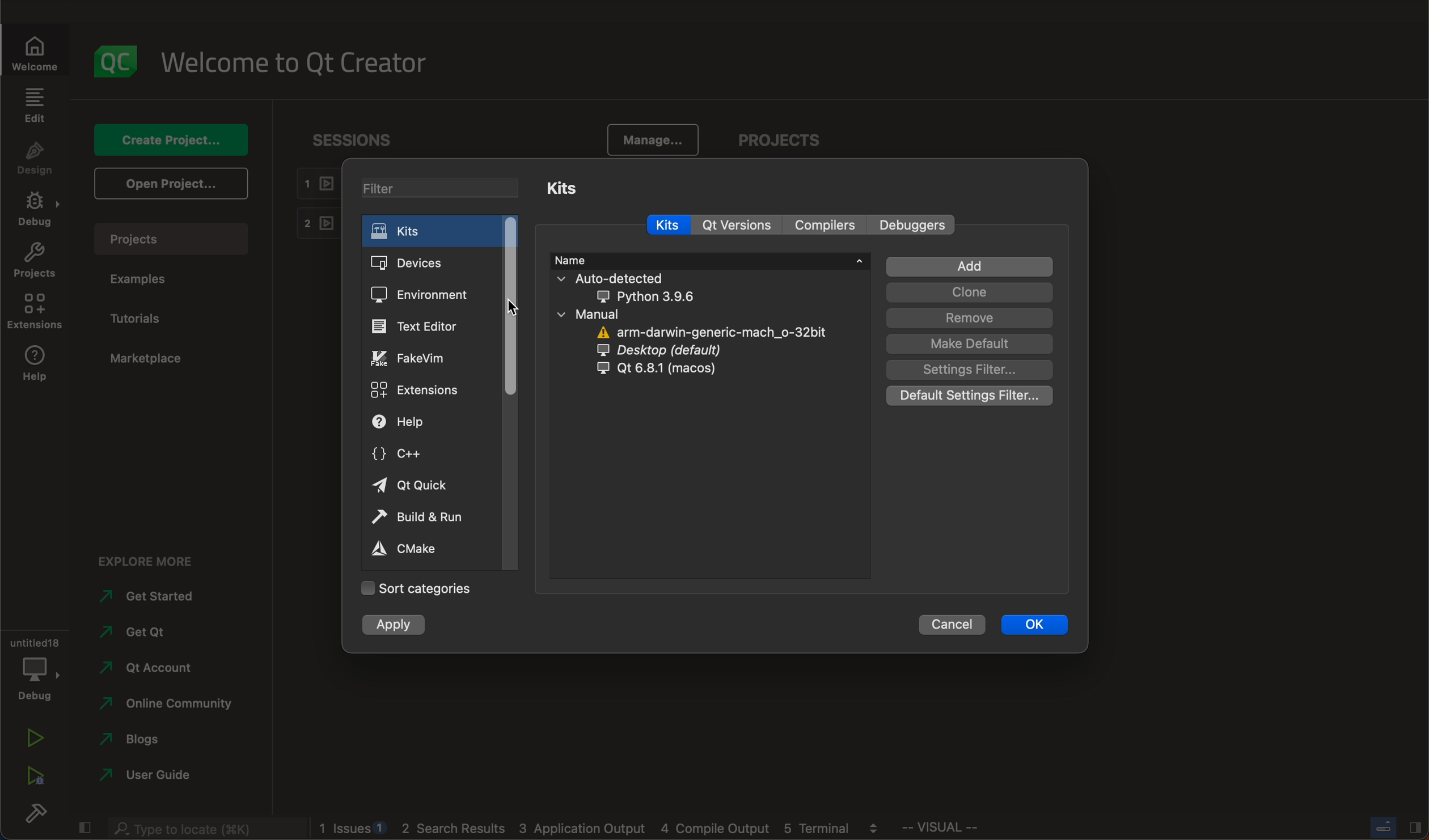 The width and height of the screenshot is (1429, 840). I want to click on design, so click(38, 158).